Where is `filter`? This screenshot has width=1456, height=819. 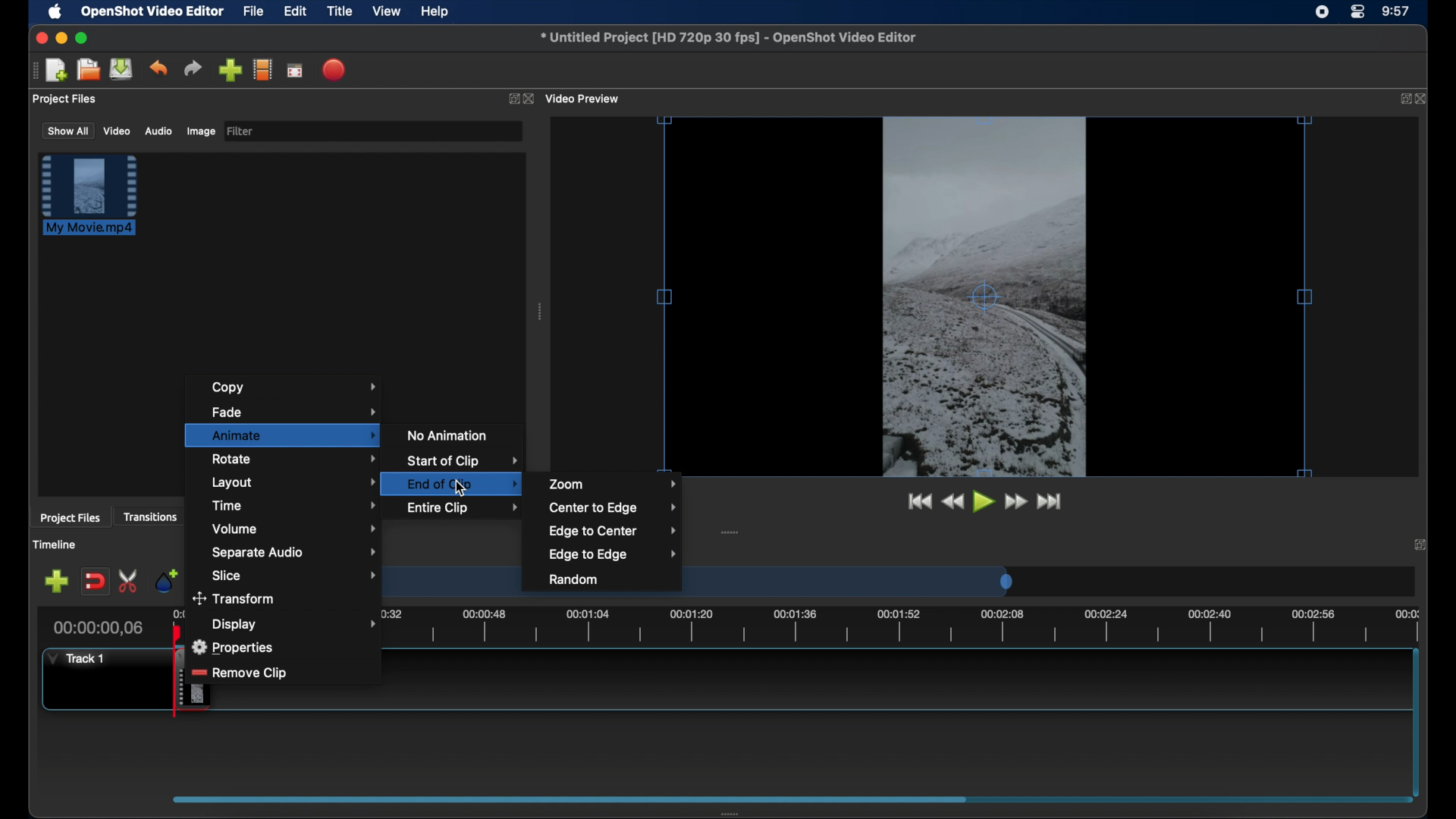 filter is located at coordinates (241, 131).